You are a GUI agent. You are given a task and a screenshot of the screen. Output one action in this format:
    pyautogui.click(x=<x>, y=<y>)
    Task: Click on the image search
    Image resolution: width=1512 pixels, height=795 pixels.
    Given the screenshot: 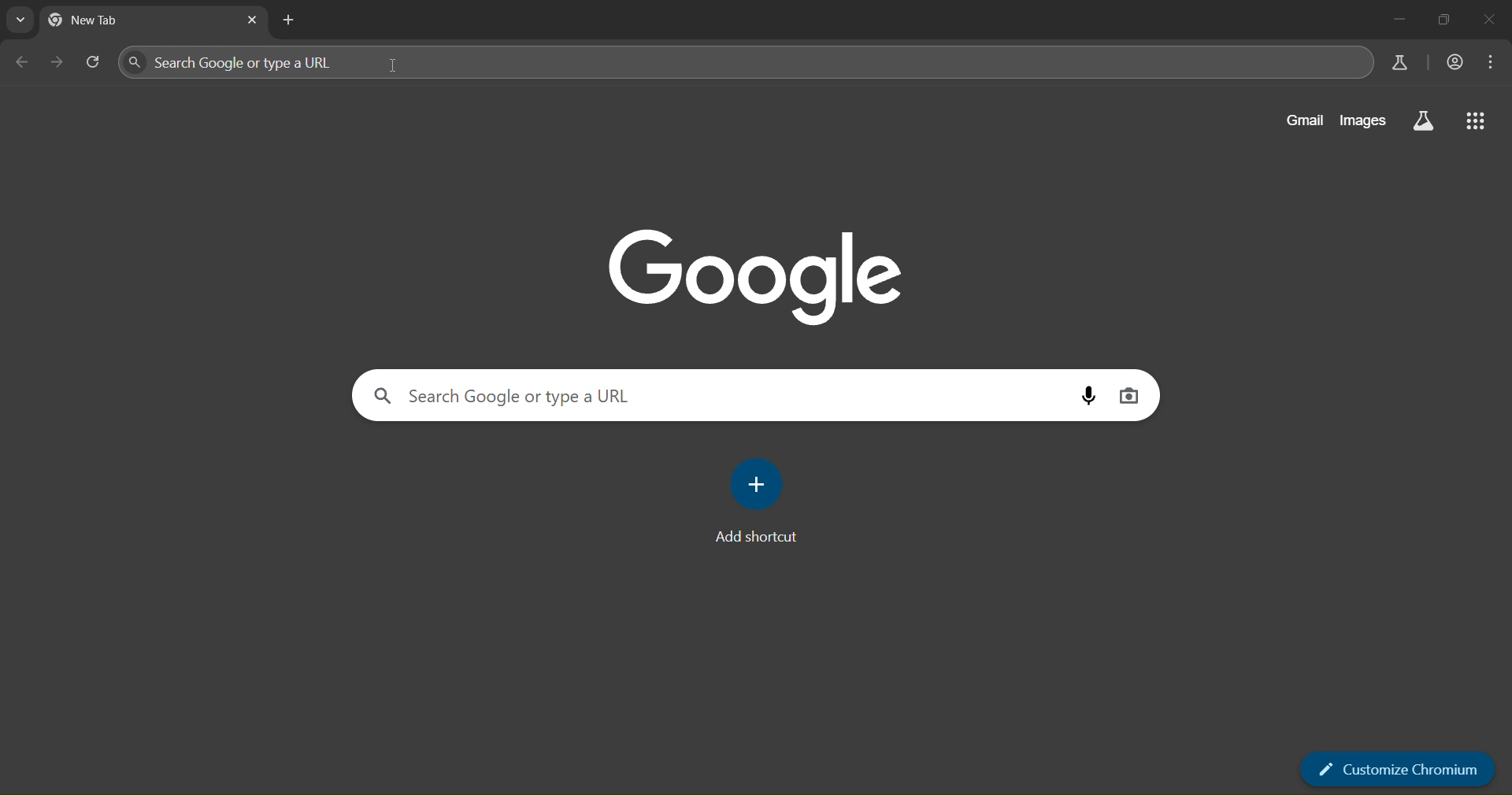 What is the action you would take?
    pyautogui.click(x=1132, y=397)
    